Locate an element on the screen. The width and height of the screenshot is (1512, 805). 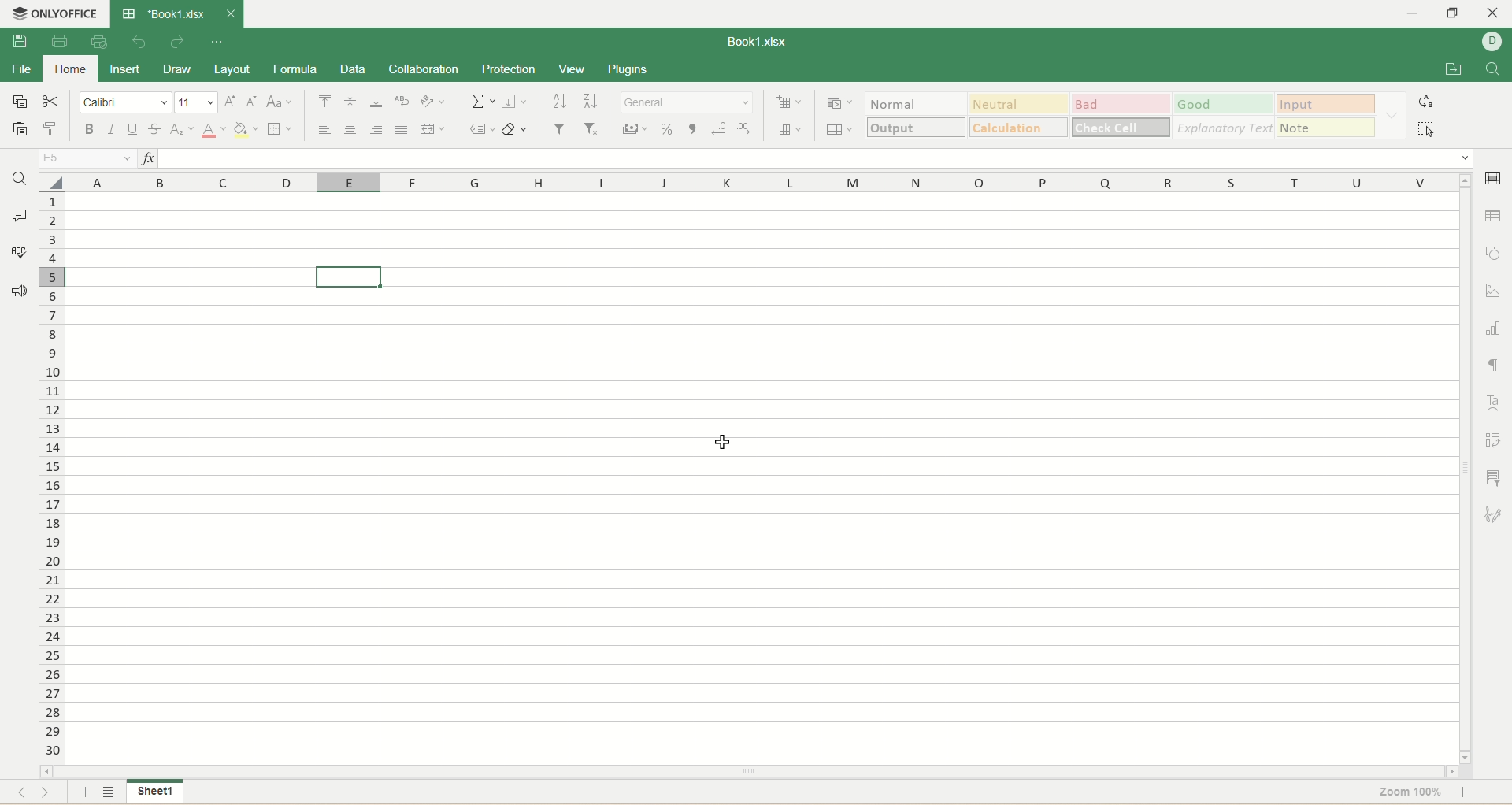
replace is located at coordinates (1430, 103).